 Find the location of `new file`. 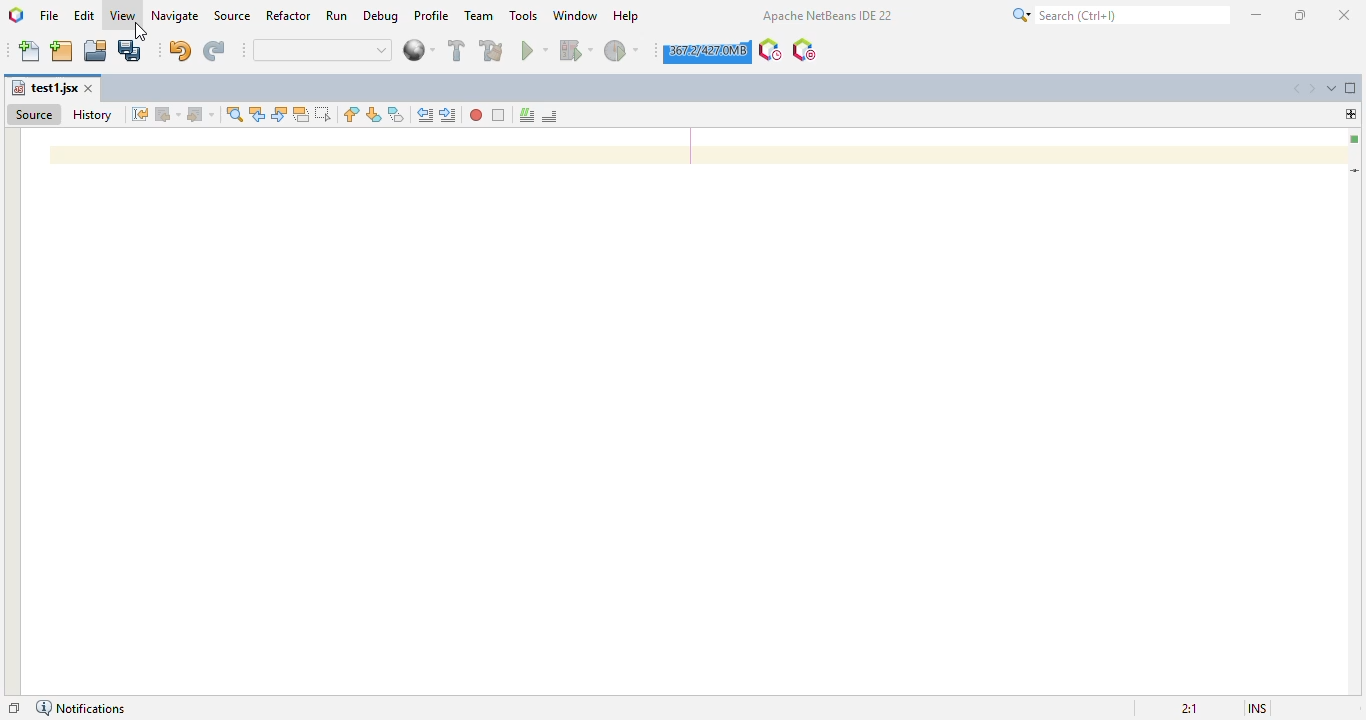

new file is located at coordinates (30, 51).